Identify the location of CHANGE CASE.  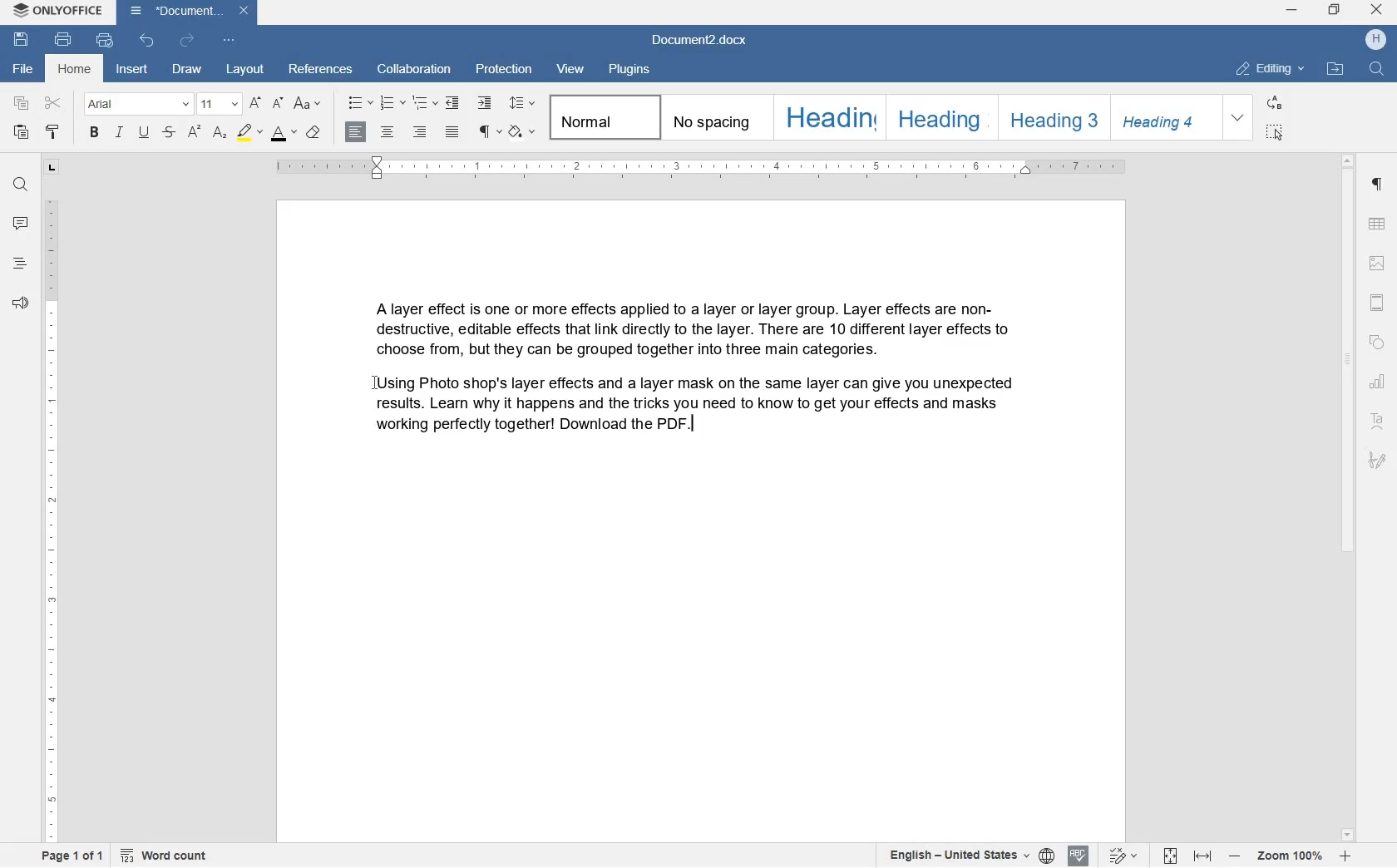
(310, 104).